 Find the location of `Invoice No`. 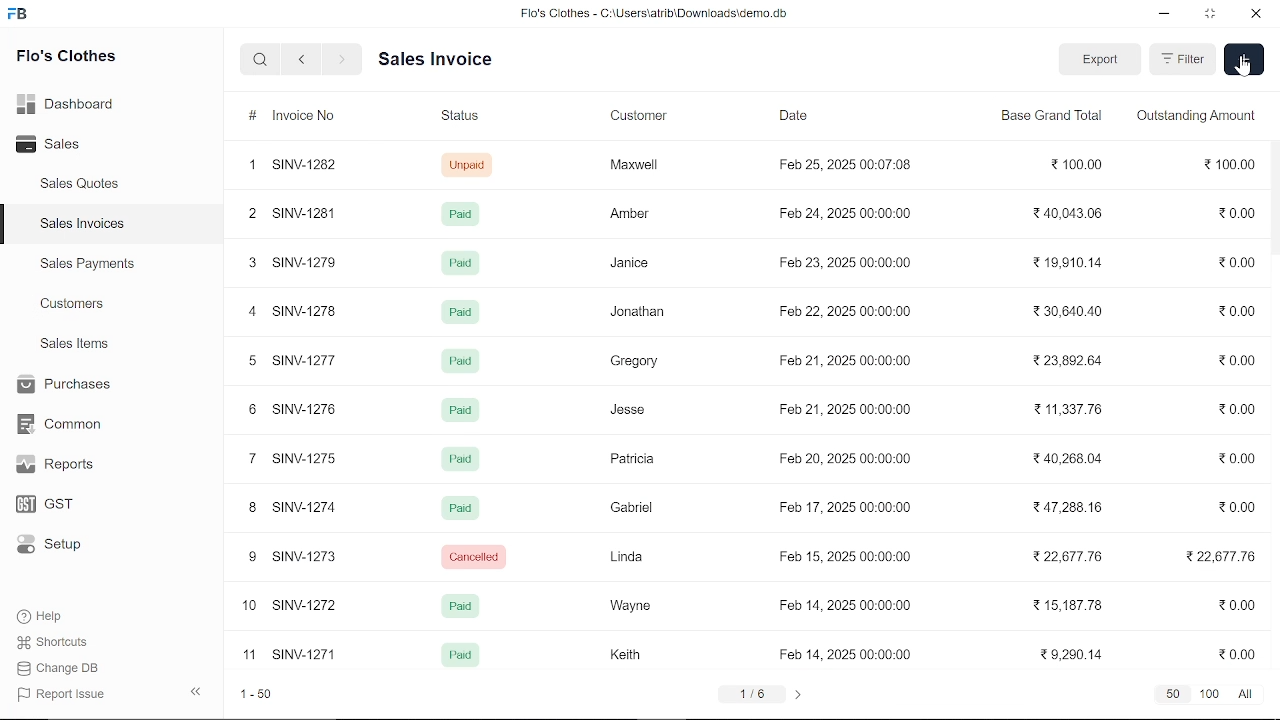

Invoice No is located at coordinates (290, 117).